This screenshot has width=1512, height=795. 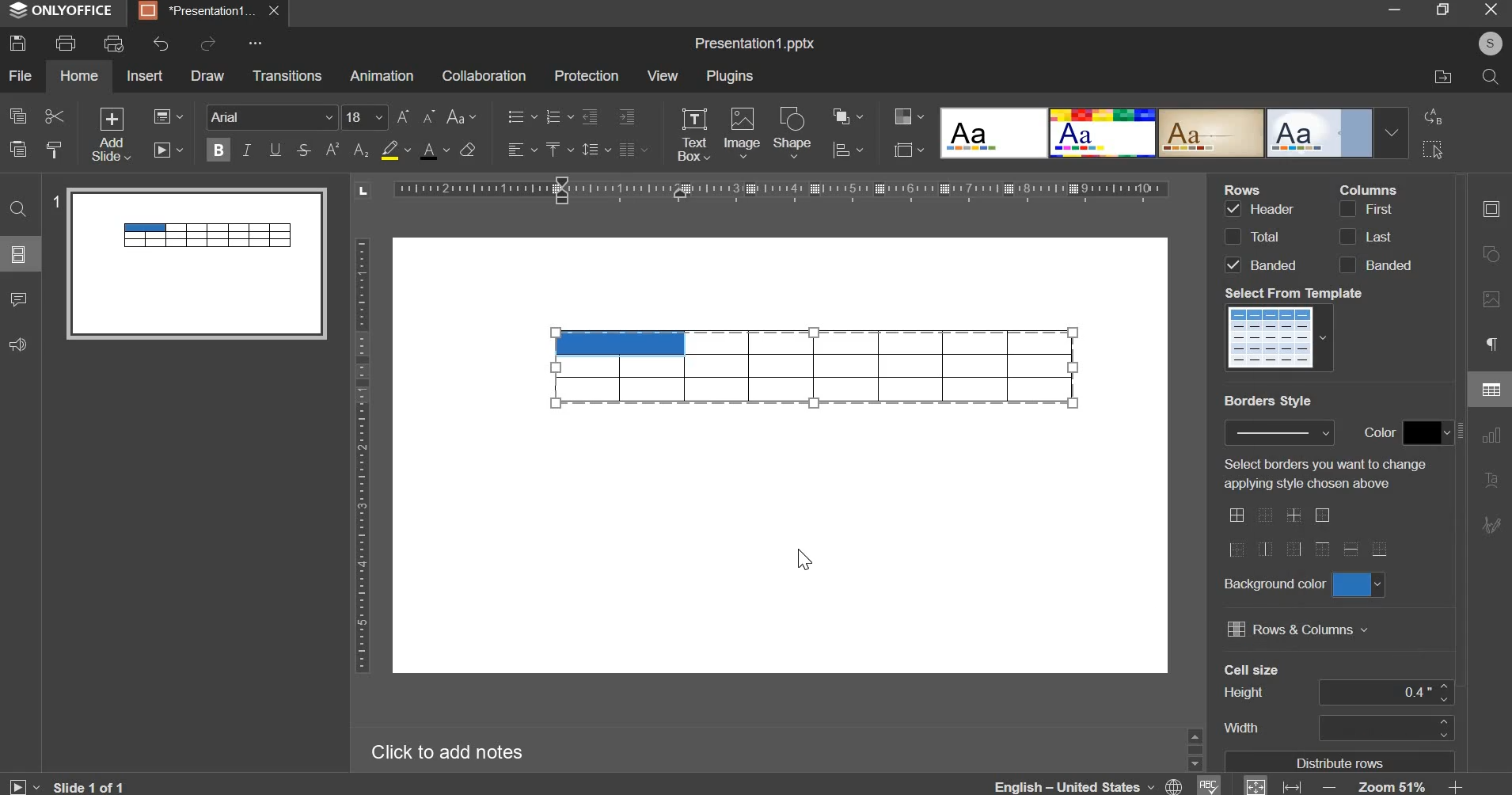 I want to click on animation, so click(x=381, y=75).